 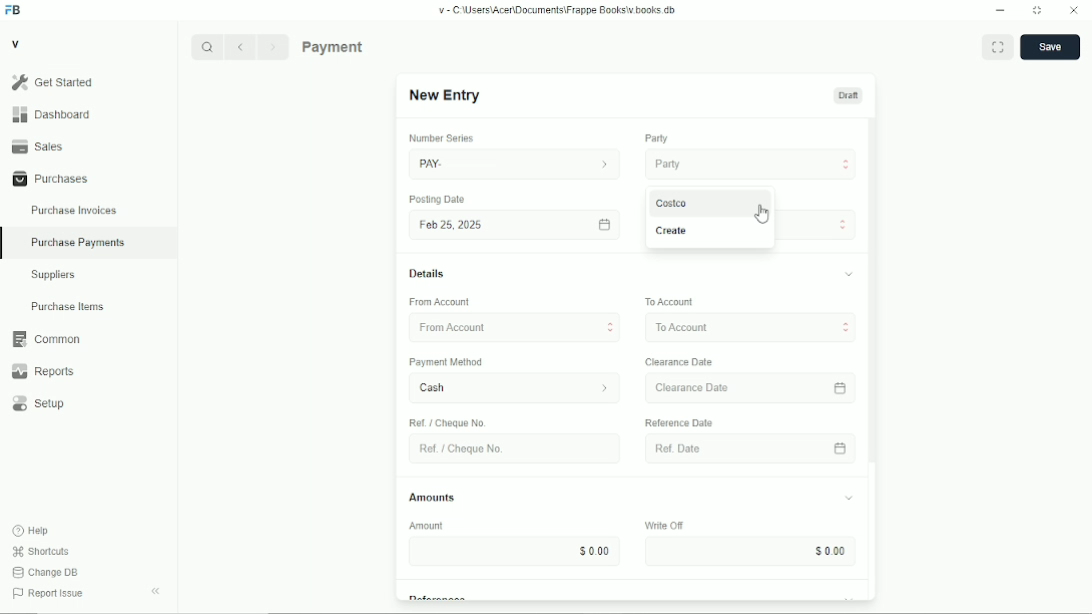 What do you see at coordinates (764, 216) in the screenshot?
I see `cursor` at bounding box center [764, 216].